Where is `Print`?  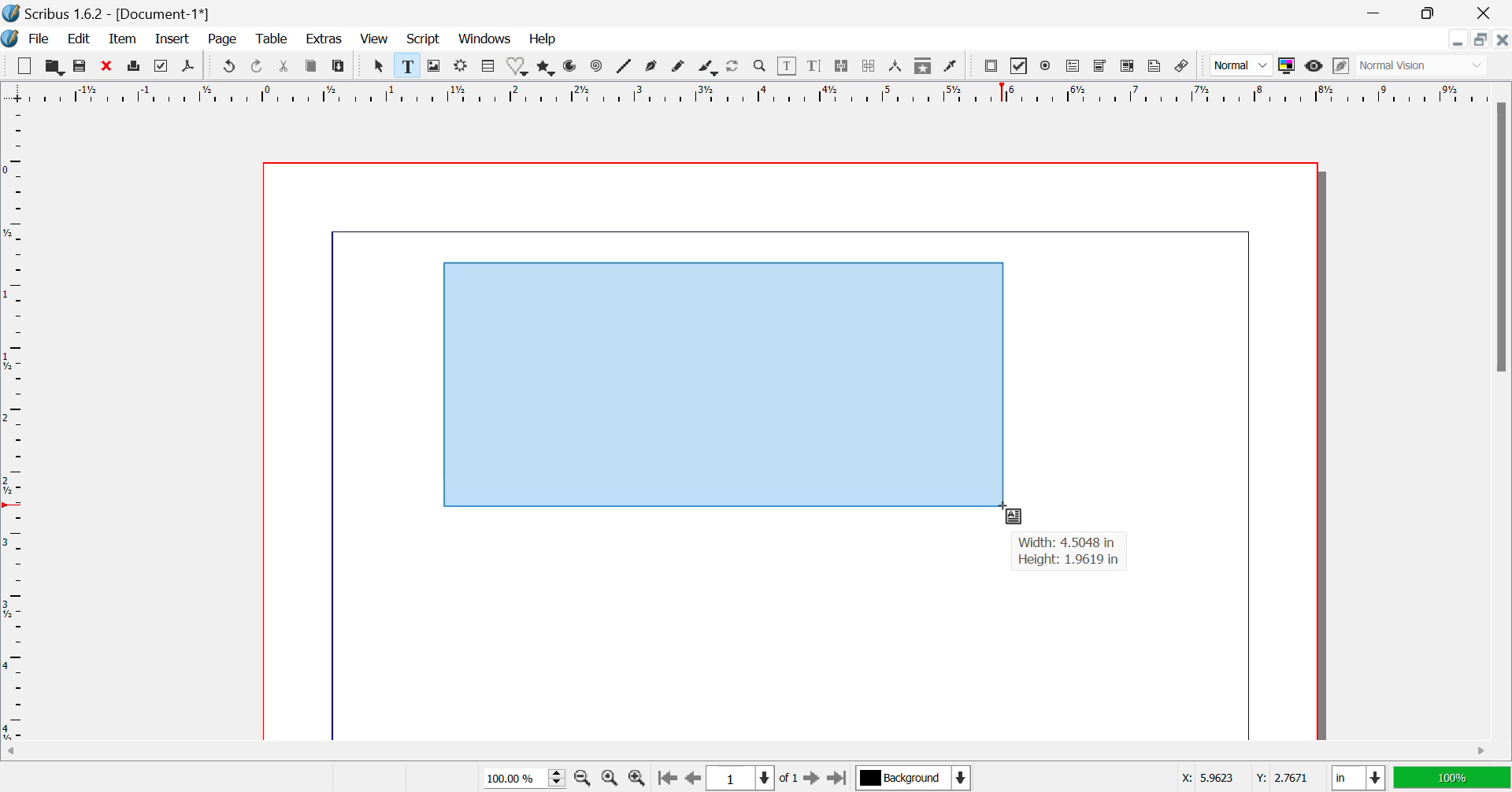
Print is located at coordinates (134, 68).